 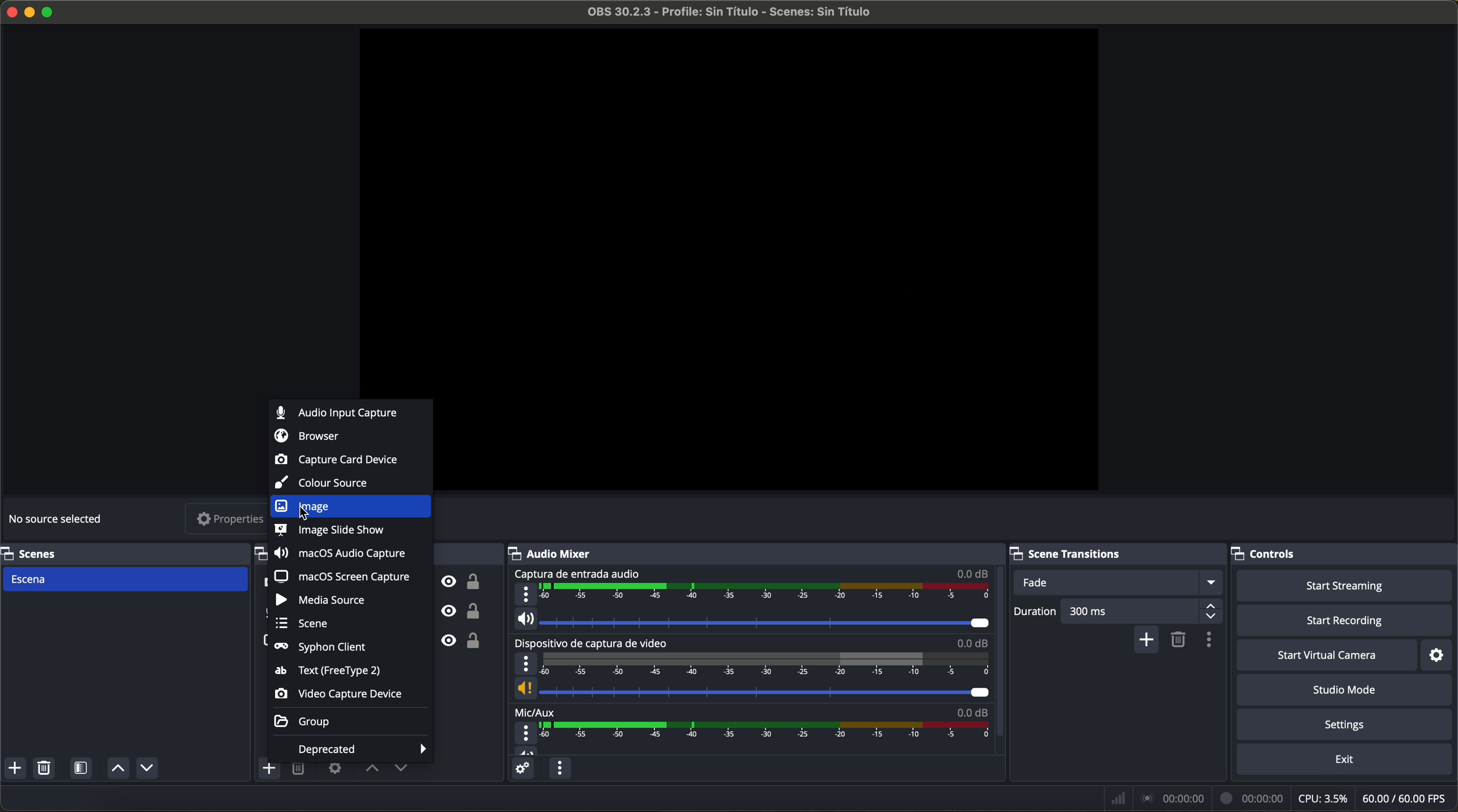 What do you see at coordinates (338, 770) in the screenshot?
I see `open source properties` at bounding box center [338, 770].